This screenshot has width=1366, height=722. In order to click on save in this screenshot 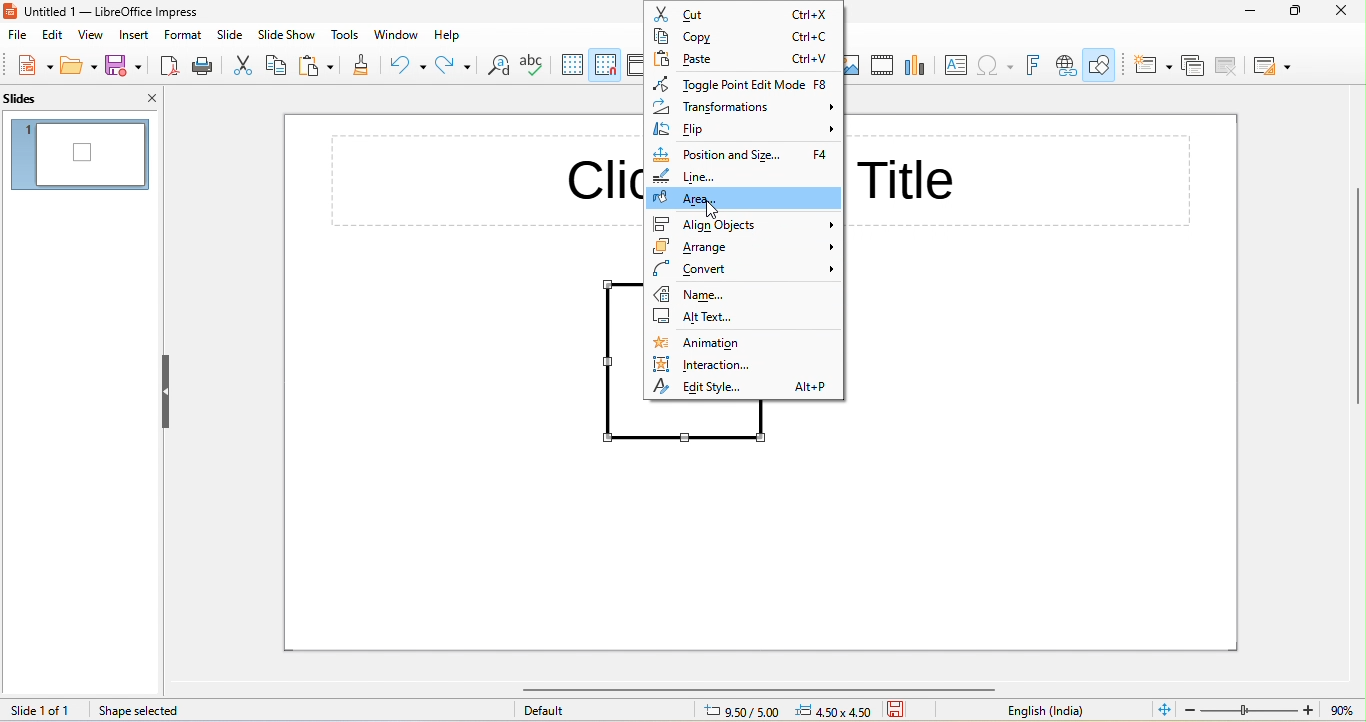, I will do `click(124, 64)`.